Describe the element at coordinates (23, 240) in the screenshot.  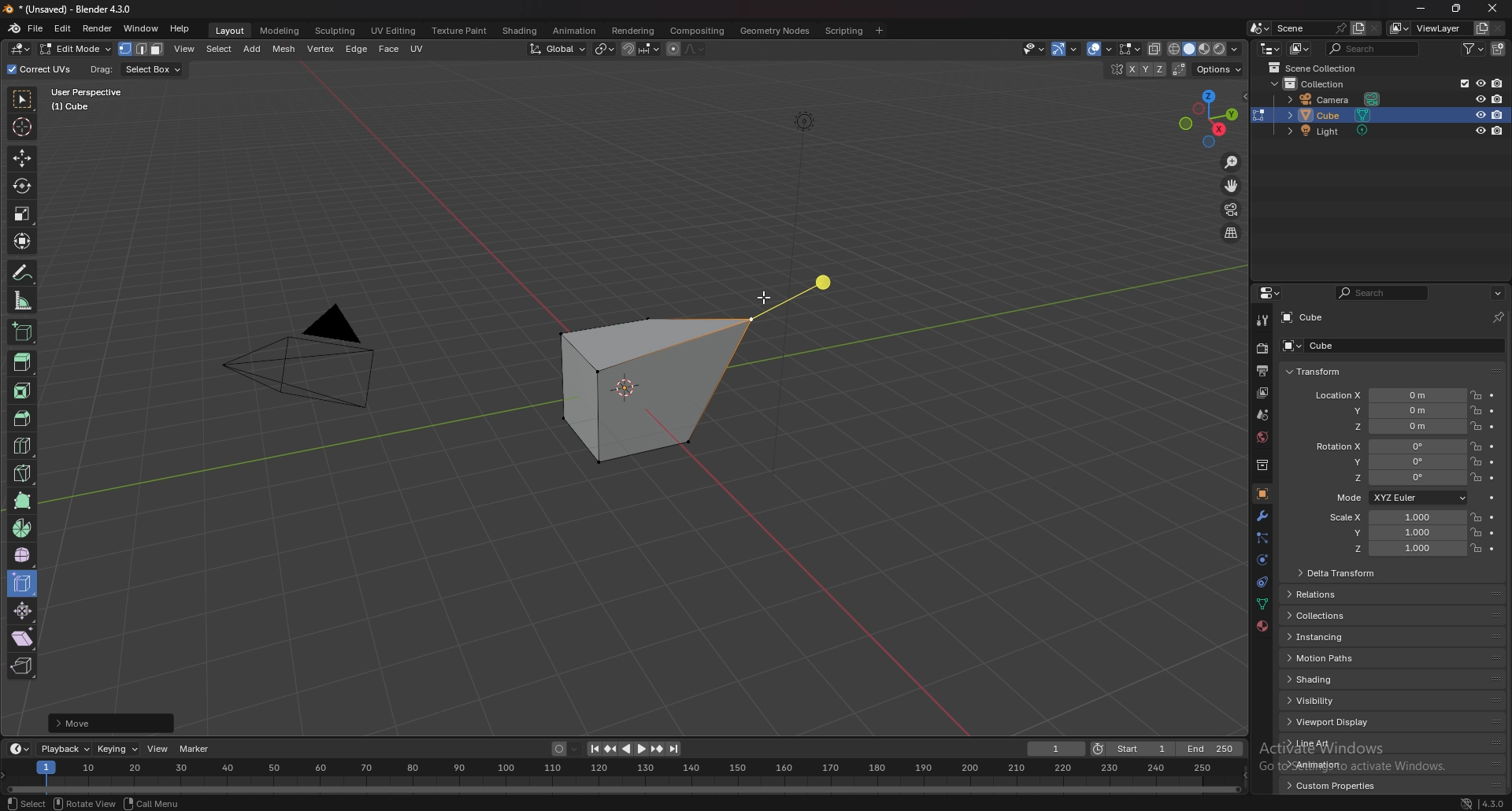
I see `transform` at that location.